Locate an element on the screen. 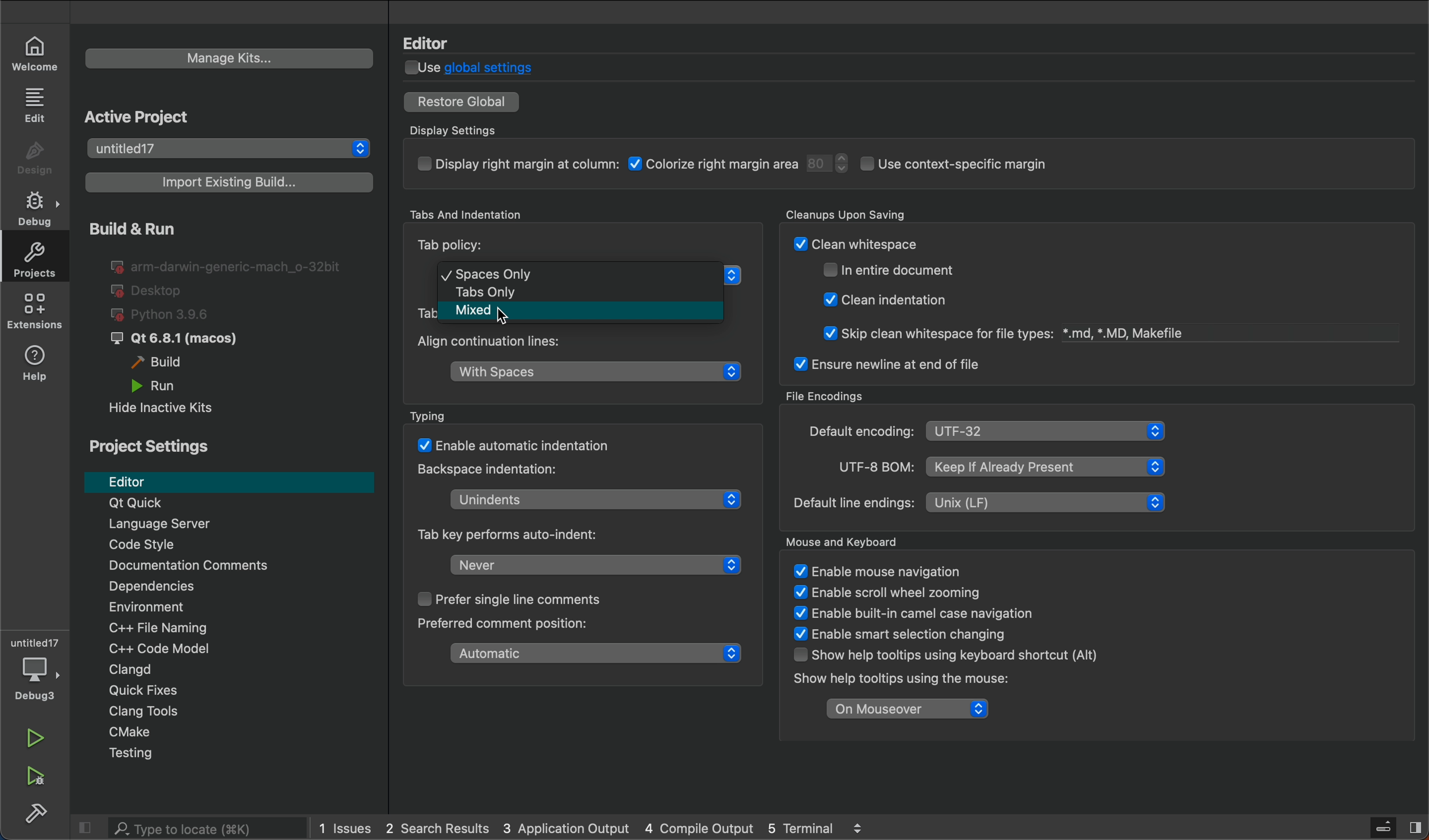 The image size is (1429, 840). unidentents is located at coordinates (584, 497).